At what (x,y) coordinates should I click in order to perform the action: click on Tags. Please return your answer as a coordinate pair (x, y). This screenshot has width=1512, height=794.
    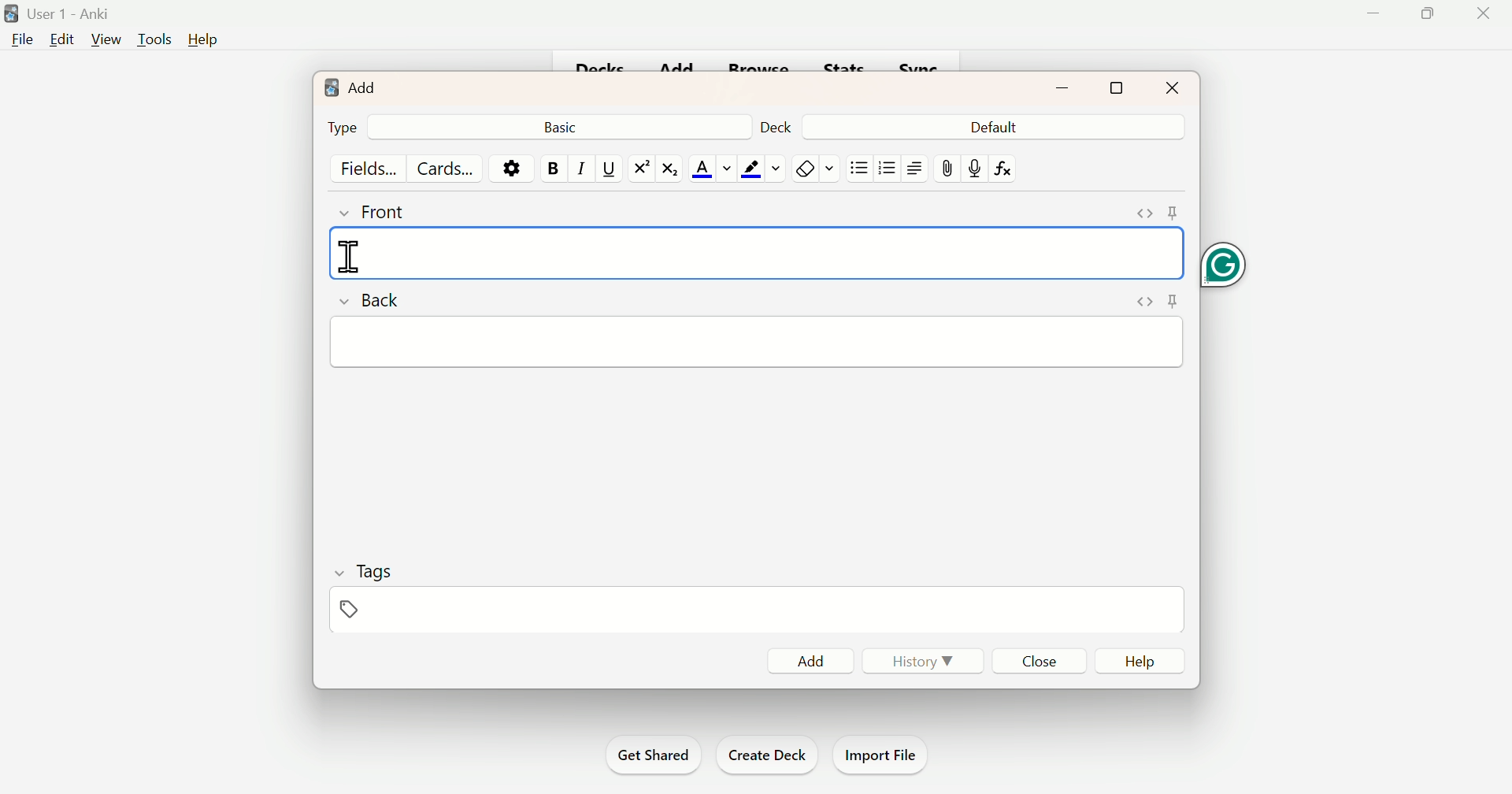
    Looking at the image, I should click on (378, 570).